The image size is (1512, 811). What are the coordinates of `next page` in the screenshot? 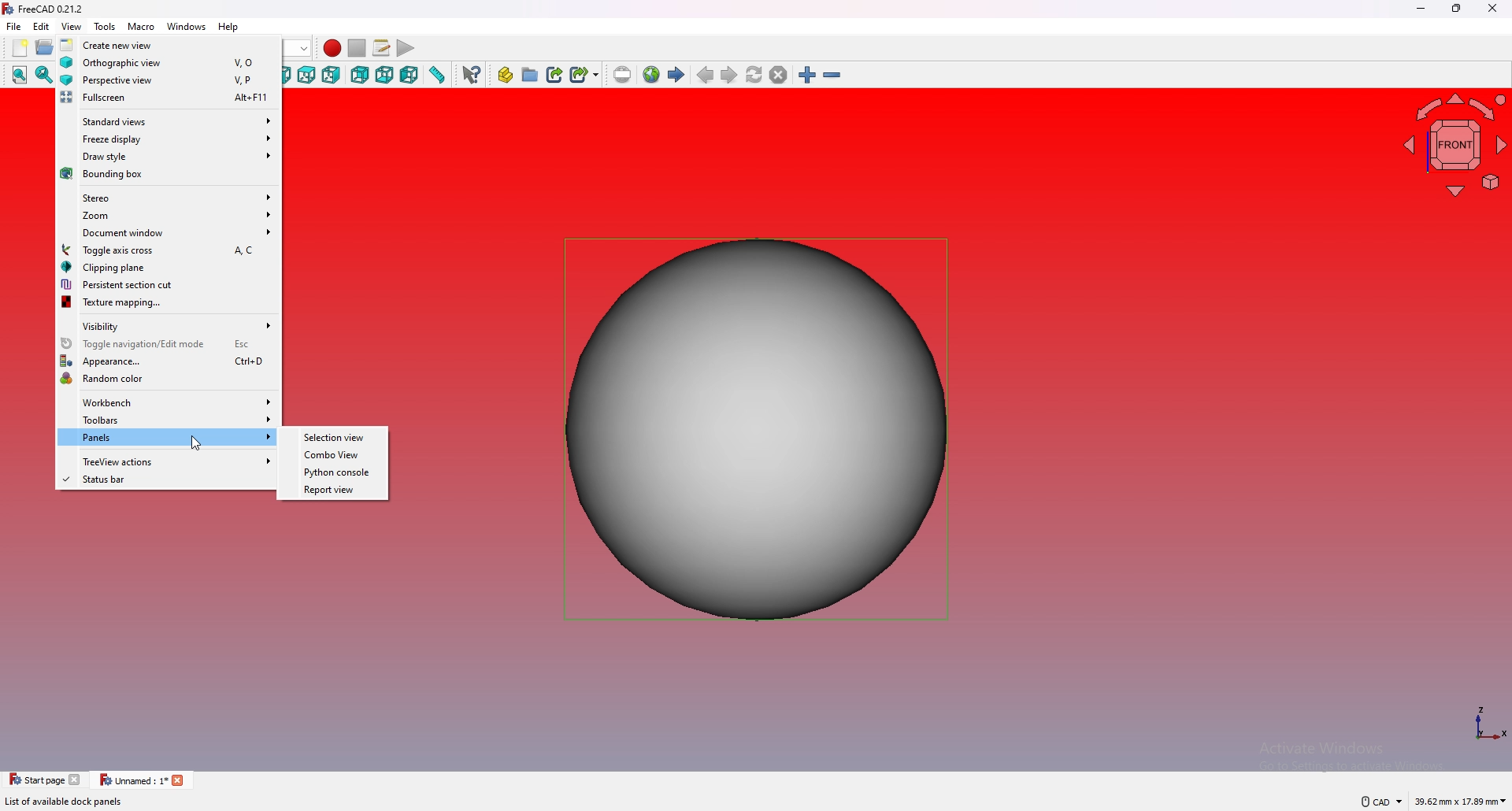 It's located at (729, 75).